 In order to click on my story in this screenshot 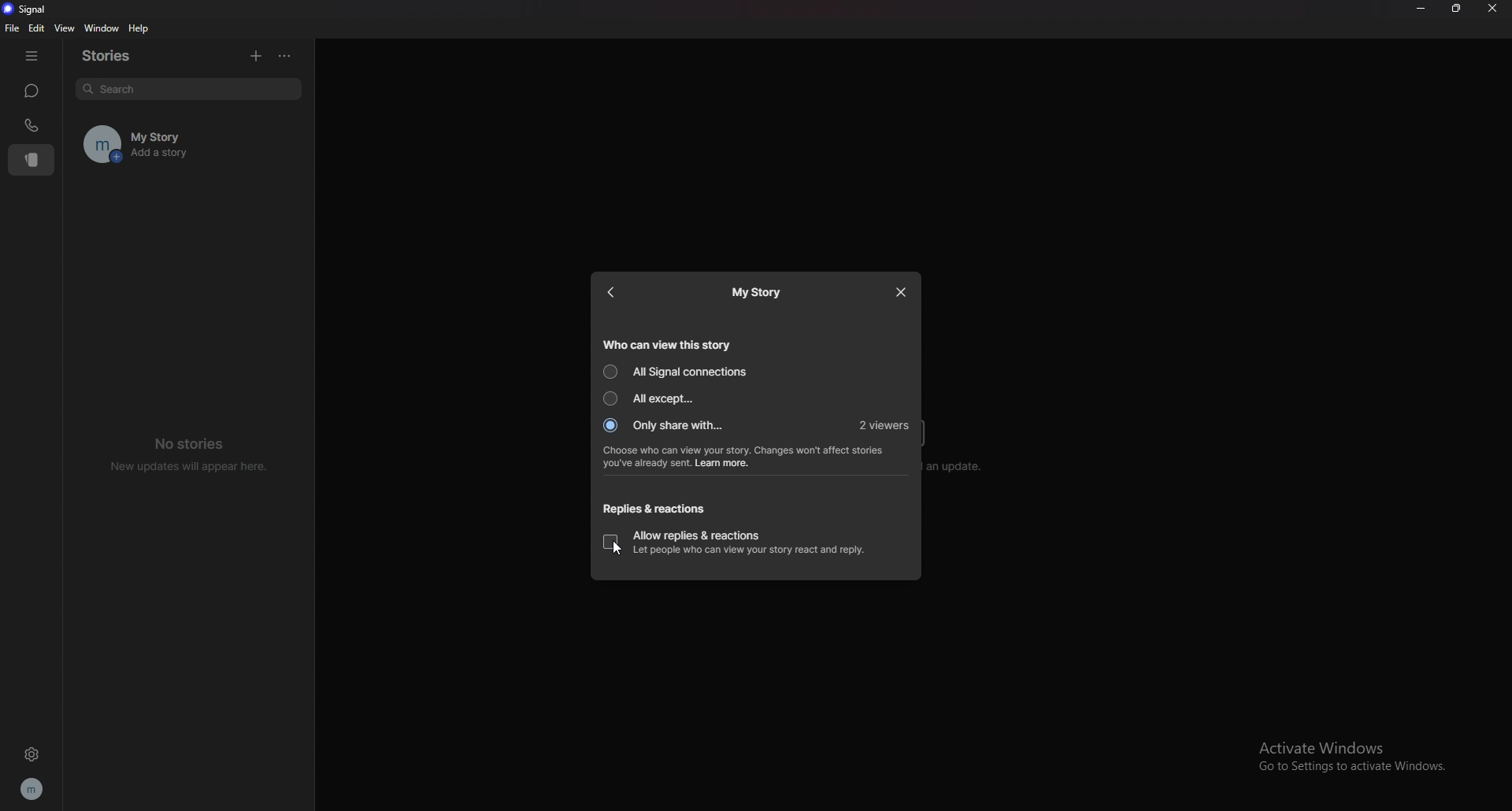, I will do `click(210, 132)`.